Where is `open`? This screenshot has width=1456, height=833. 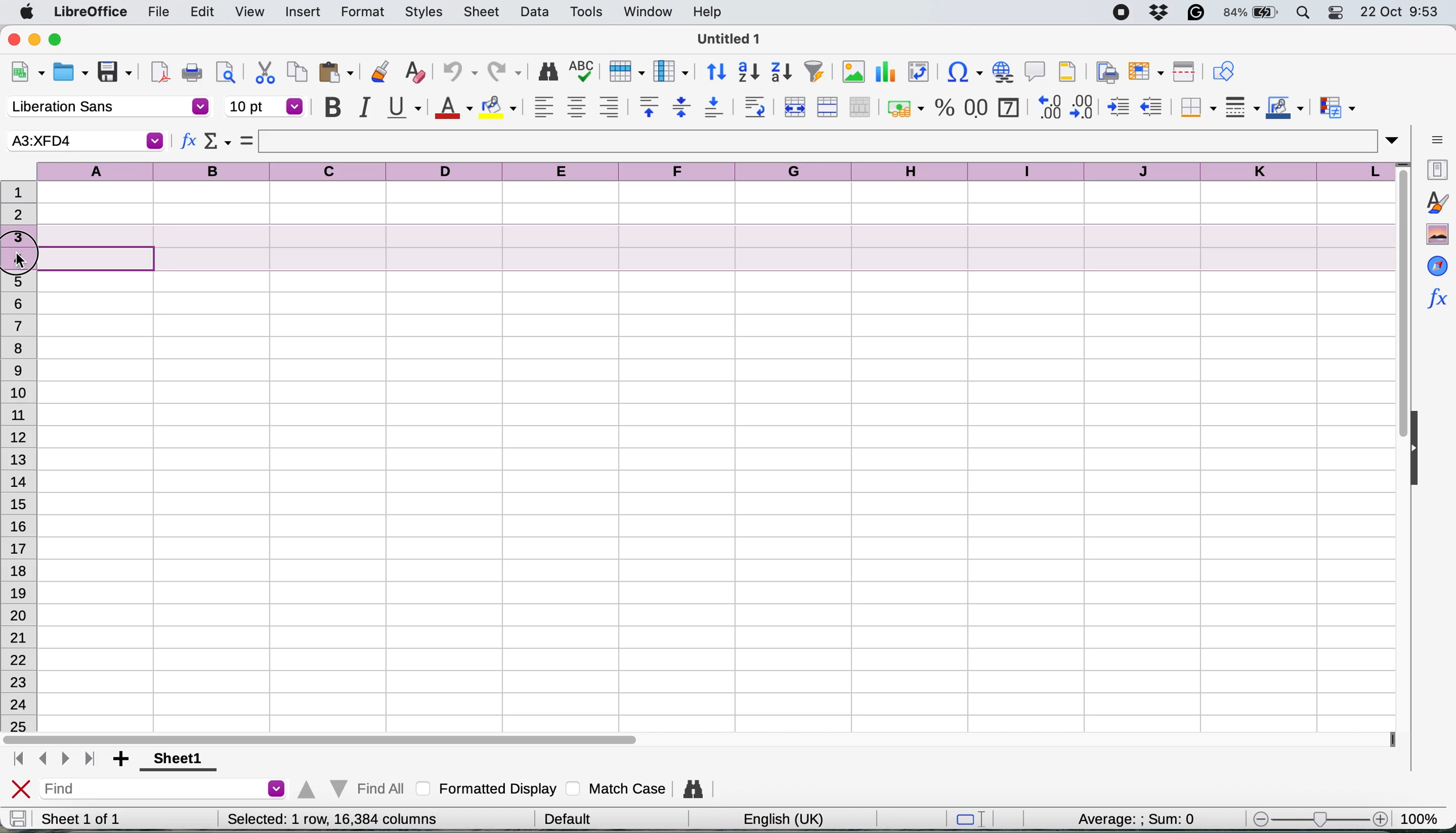 open is located at coordinates (70, 74).